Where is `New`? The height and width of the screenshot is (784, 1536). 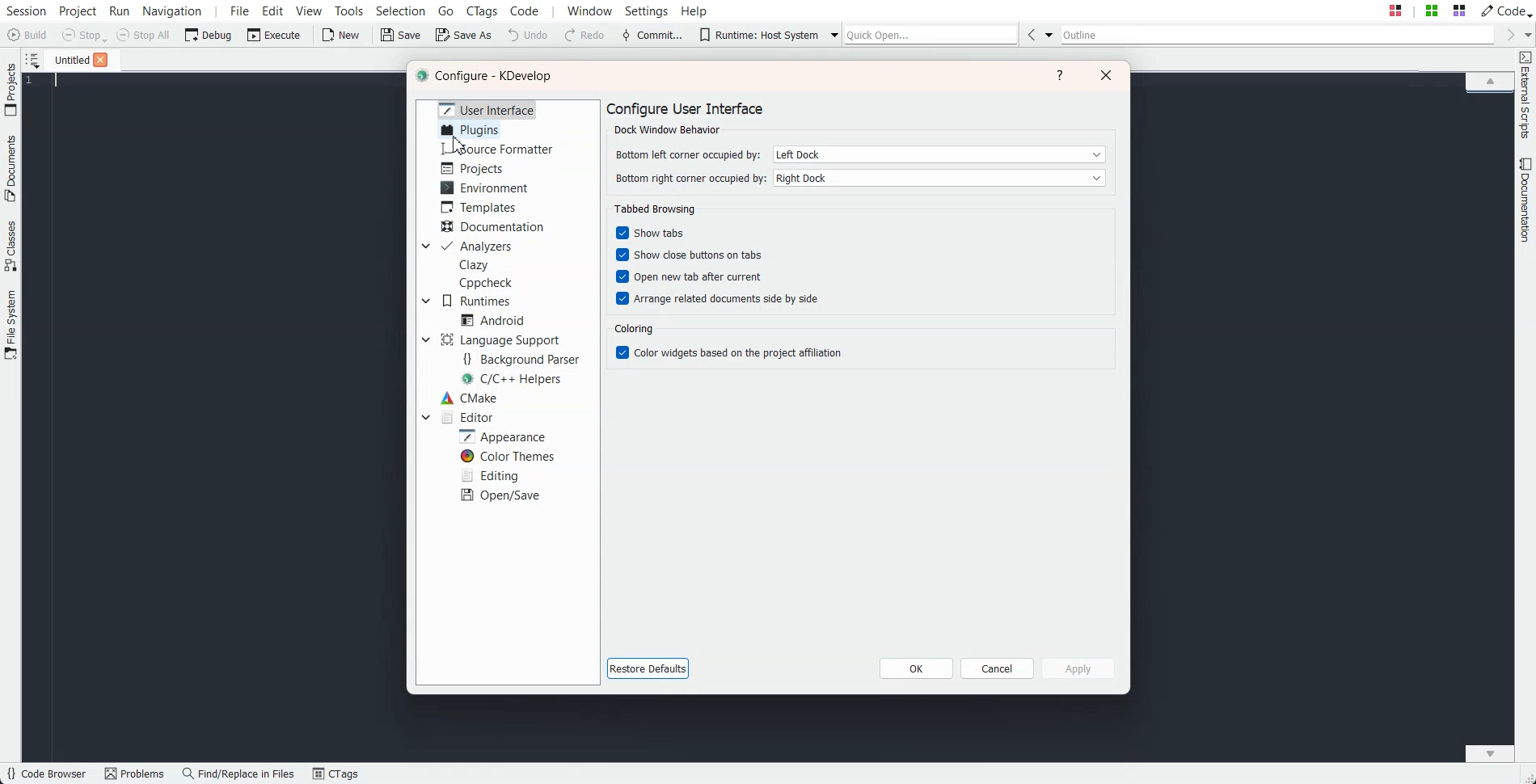 New is located at coordinates (340, 35).